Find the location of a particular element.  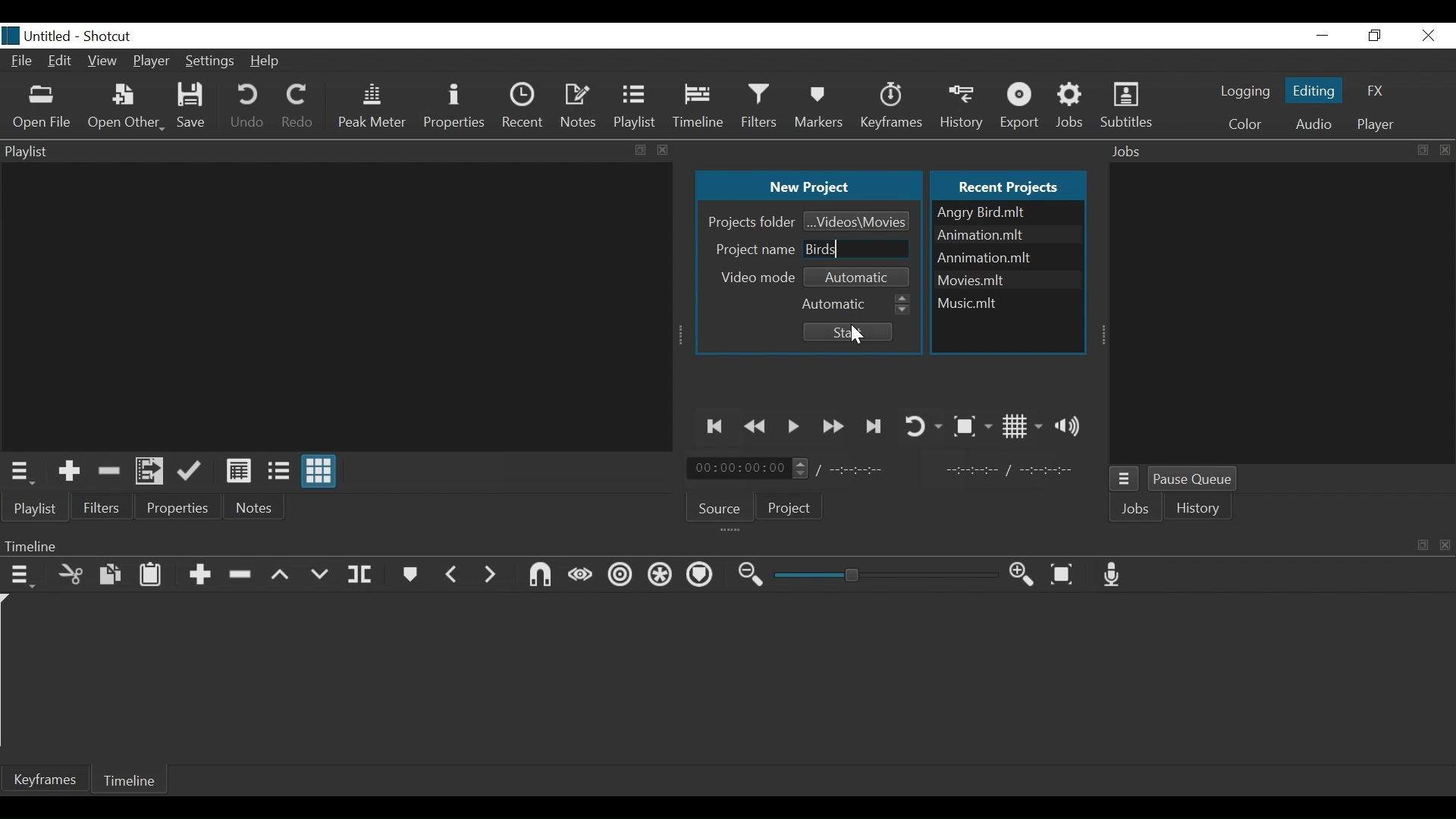

Zoom timeline out is located at coordinates (752, 576).